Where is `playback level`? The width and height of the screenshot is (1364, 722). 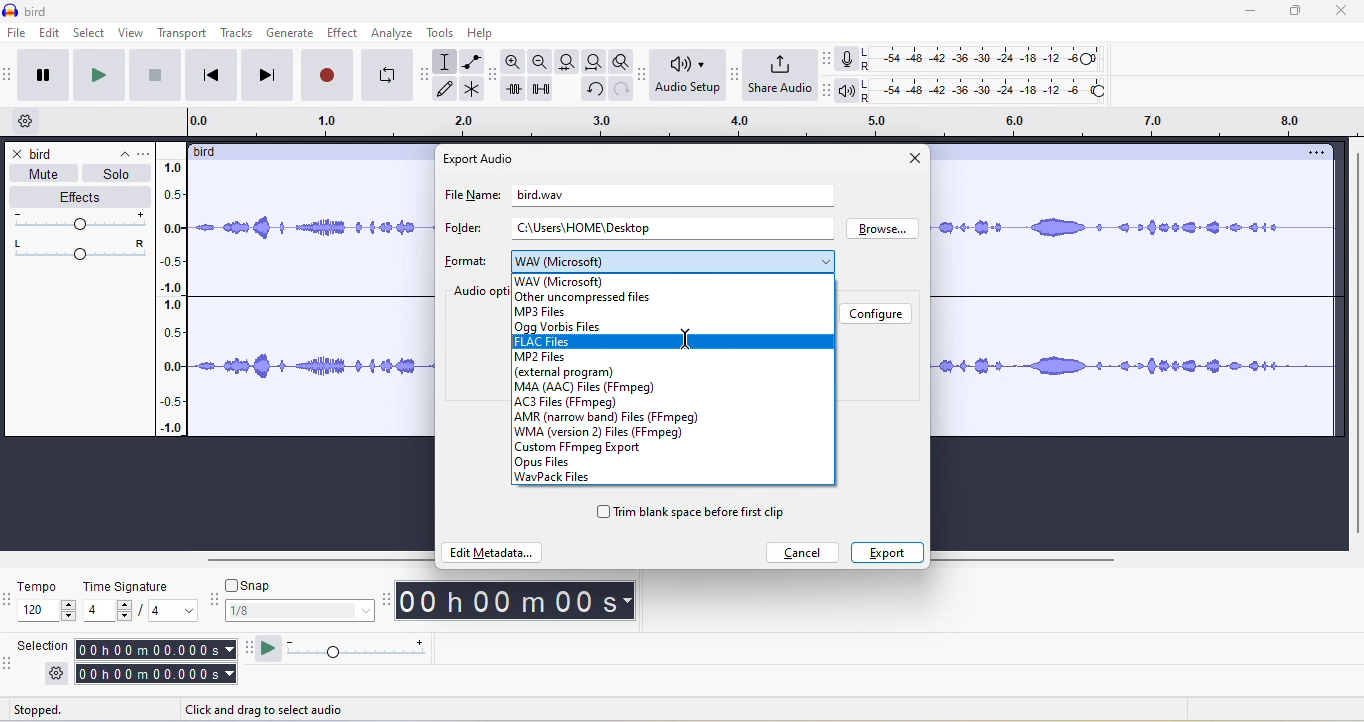
playback level is located at coordinates (991, 92).